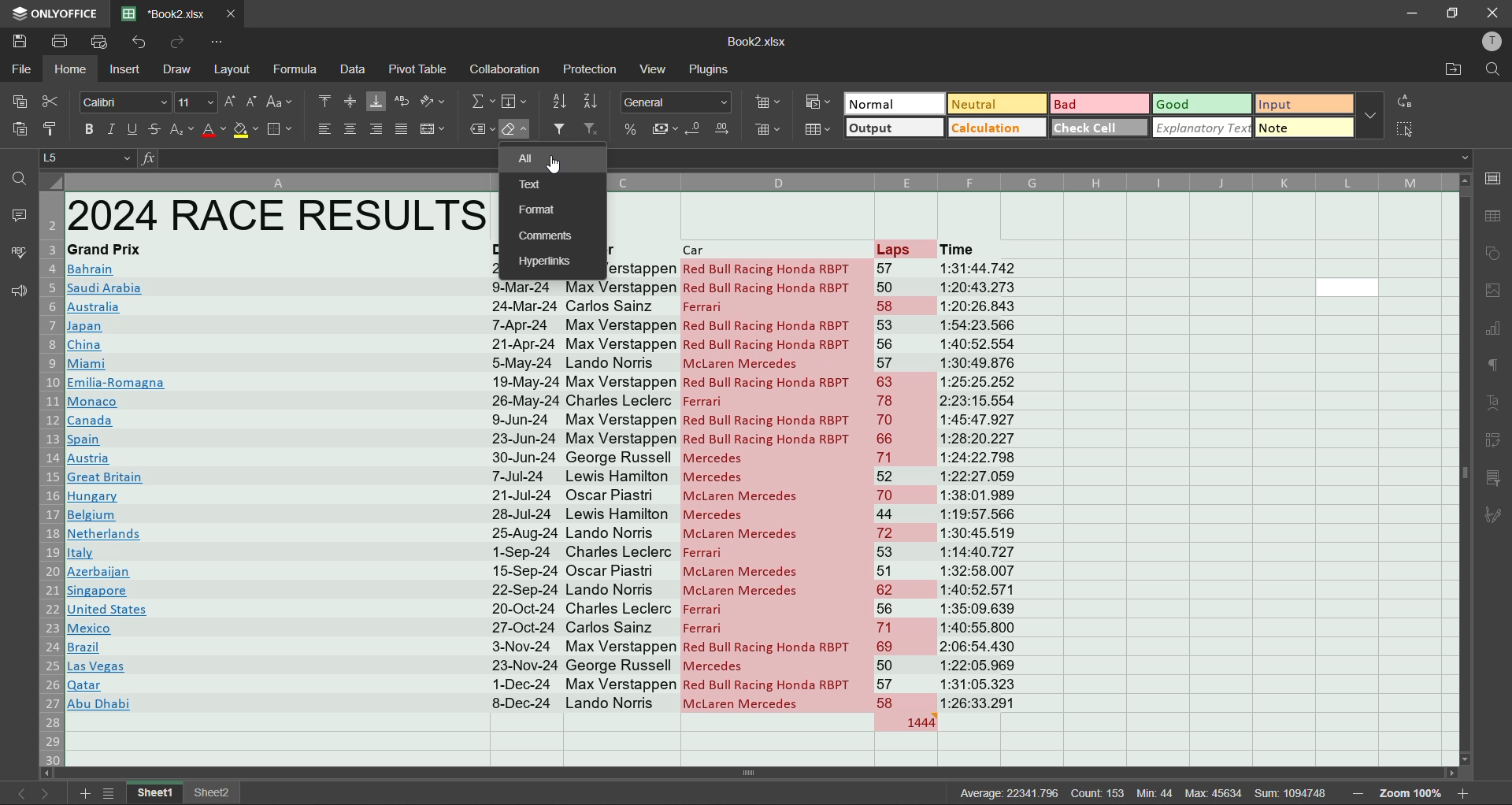  Describe the element at coordinates (52, 478) in the screenshot. I see `row numberss` at that location.